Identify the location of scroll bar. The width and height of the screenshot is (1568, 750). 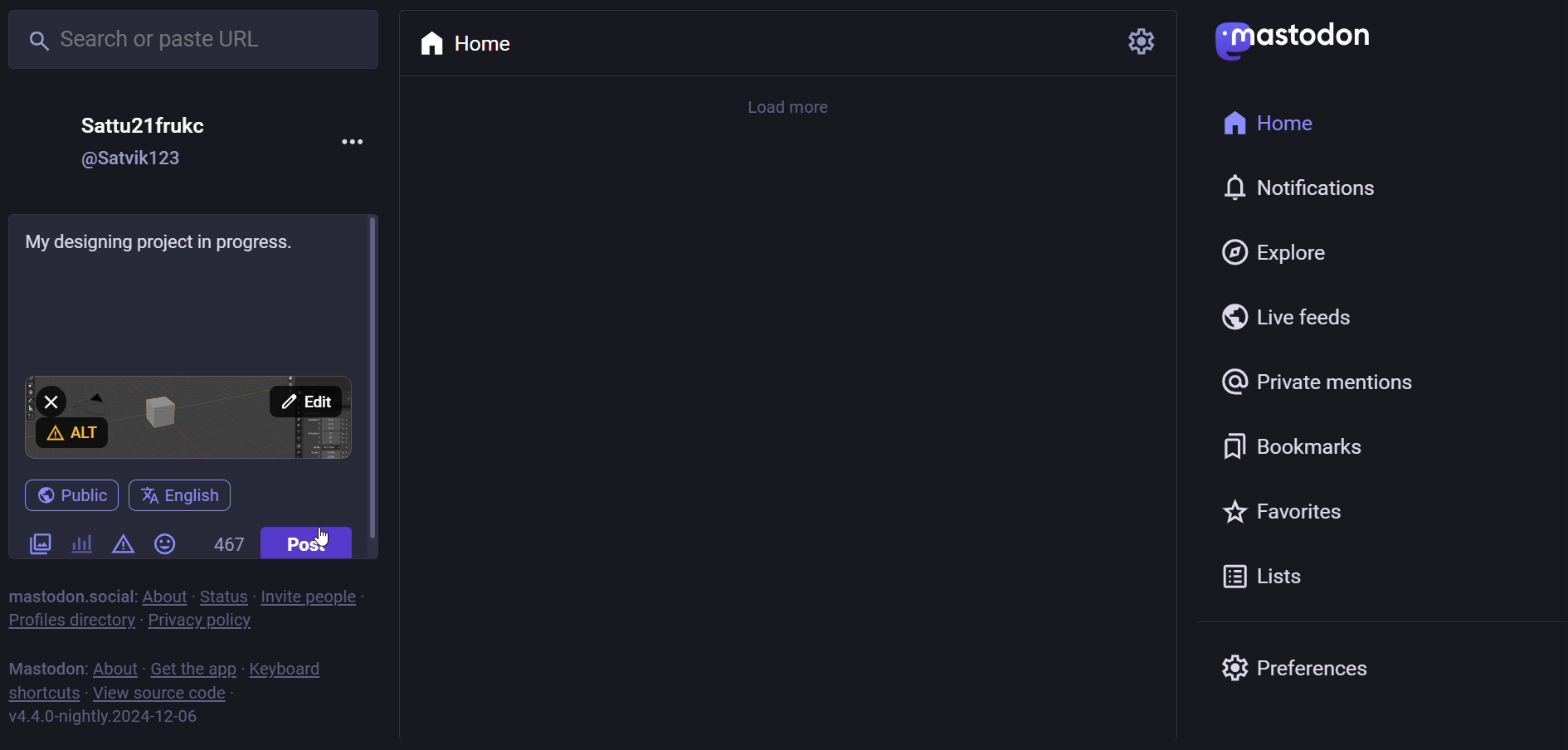
(377, 383).